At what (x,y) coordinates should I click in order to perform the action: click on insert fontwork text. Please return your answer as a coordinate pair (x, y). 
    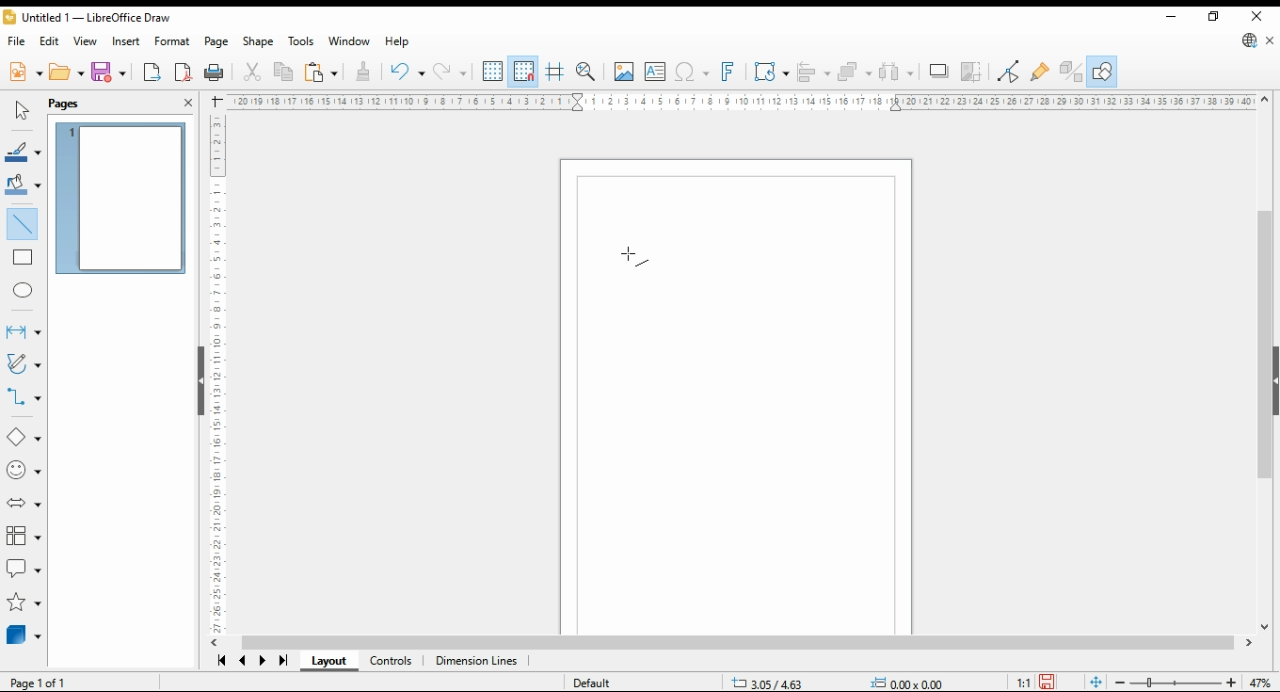
    Looking at the image, I should click on (728, 72).